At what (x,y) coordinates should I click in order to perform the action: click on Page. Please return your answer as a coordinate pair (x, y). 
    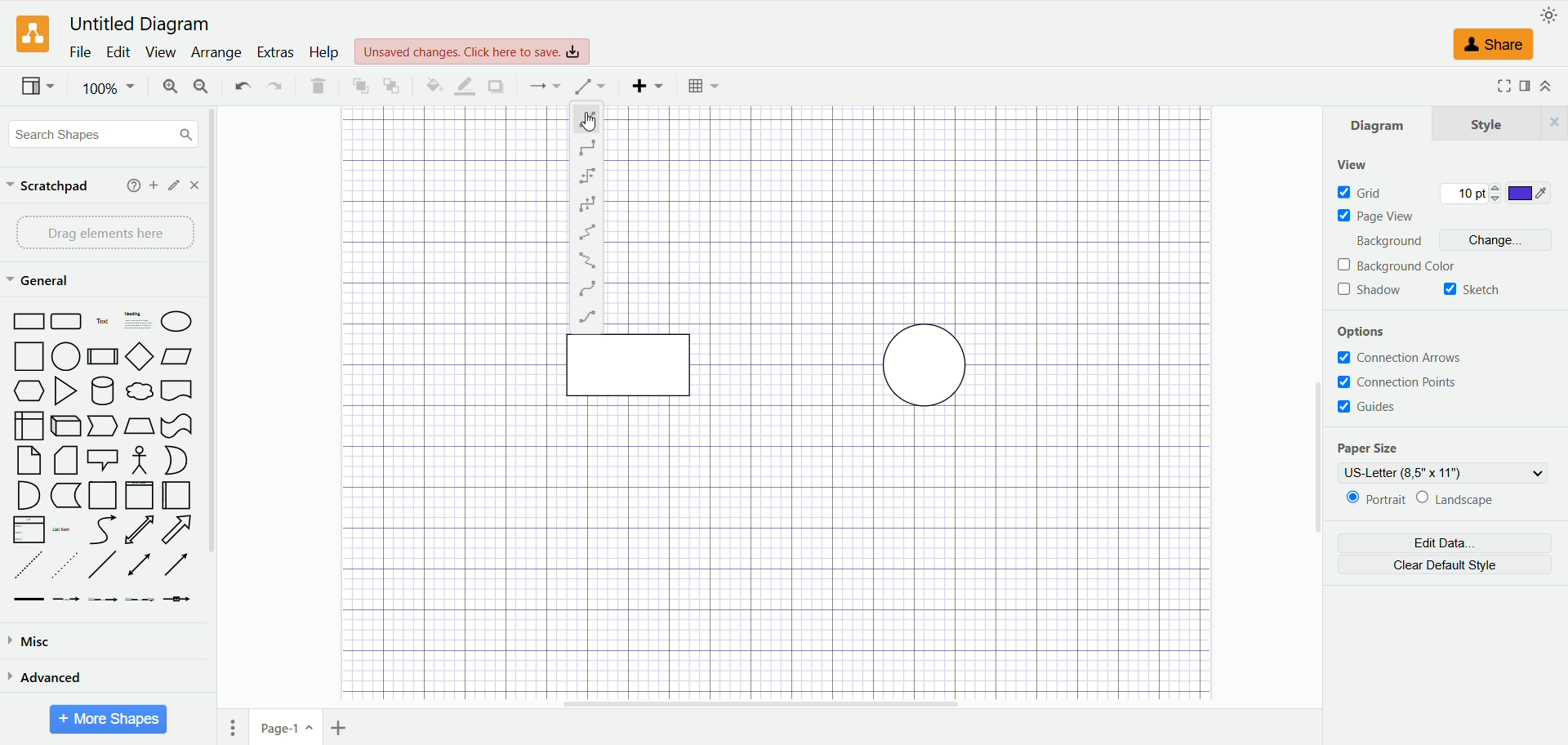
    Looking at the image, I should click on (29, 460).